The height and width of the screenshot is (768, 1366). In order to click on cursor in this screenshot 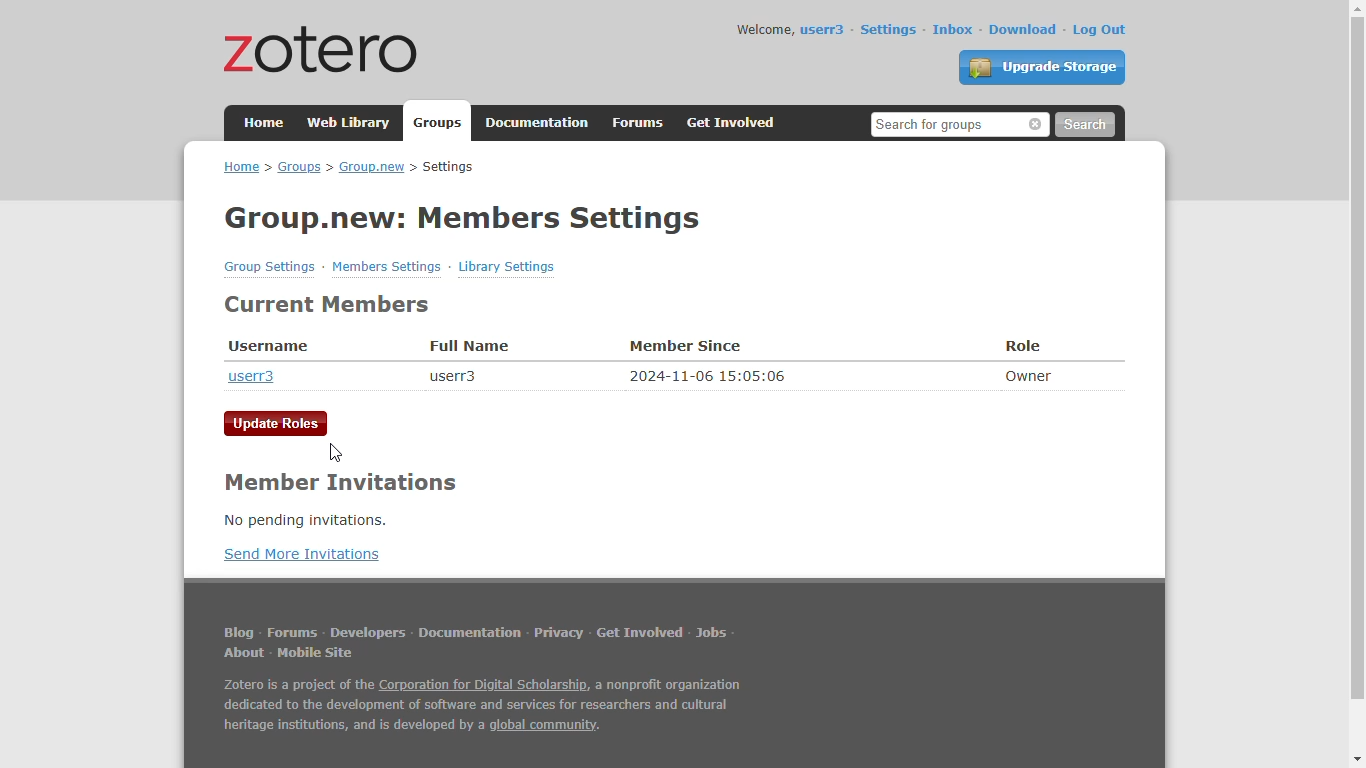, I will do `click(336, 453)`.